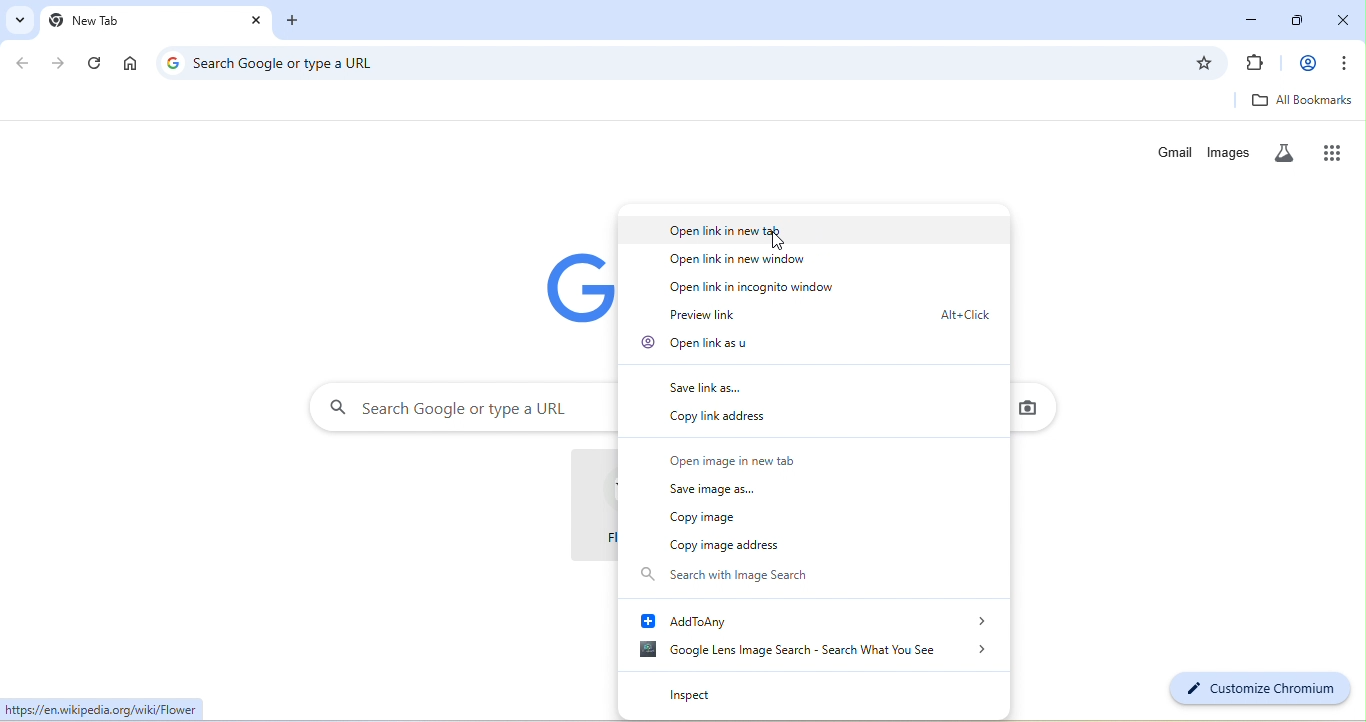 This screenshot has height=722, width=1366. Describe the element at coordinates (684, 64) in the screenshot. I see `search google or type a URL` at that location.